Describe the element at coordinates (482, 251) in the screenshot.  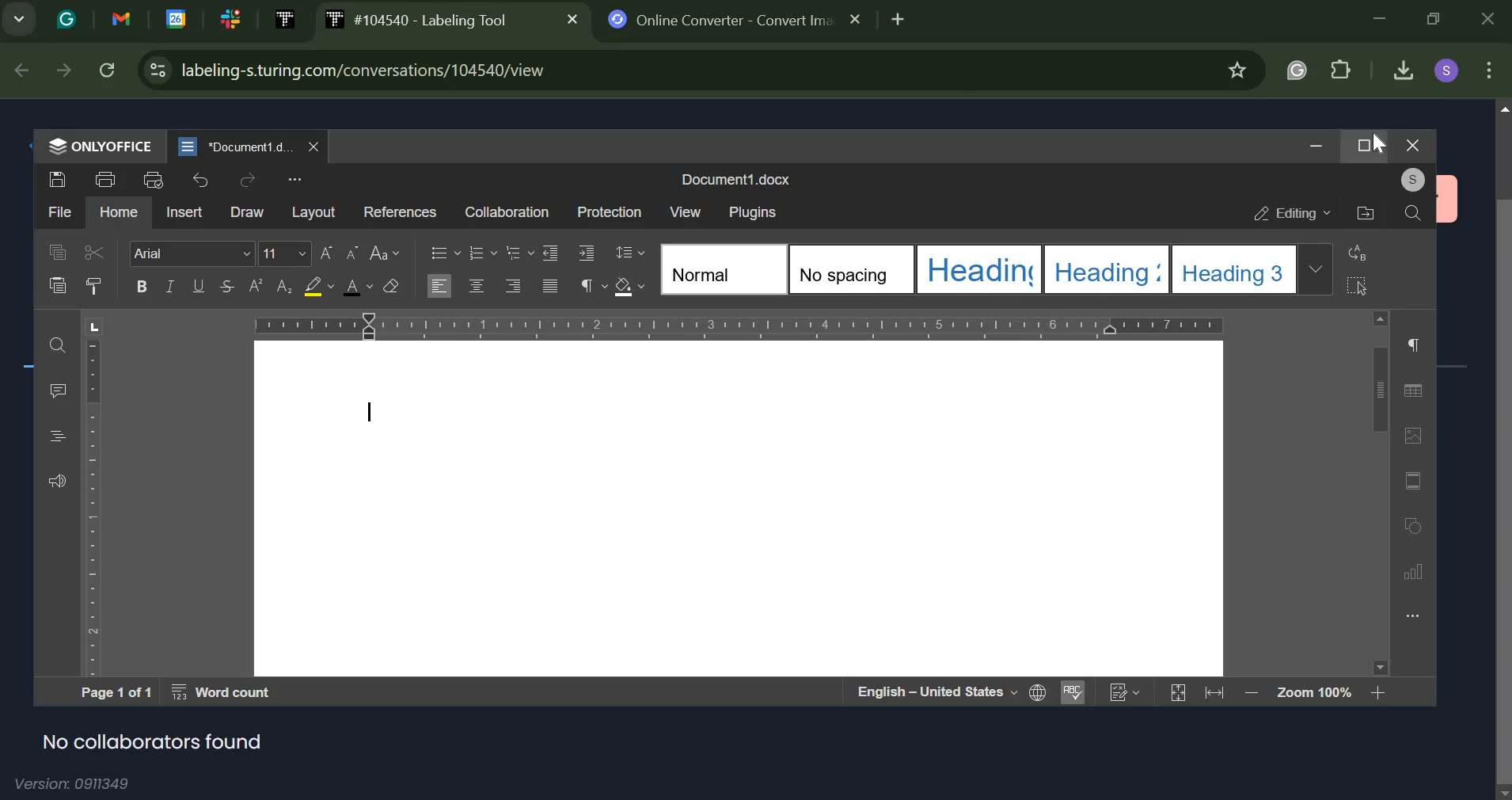
I see `numbering` at that location.